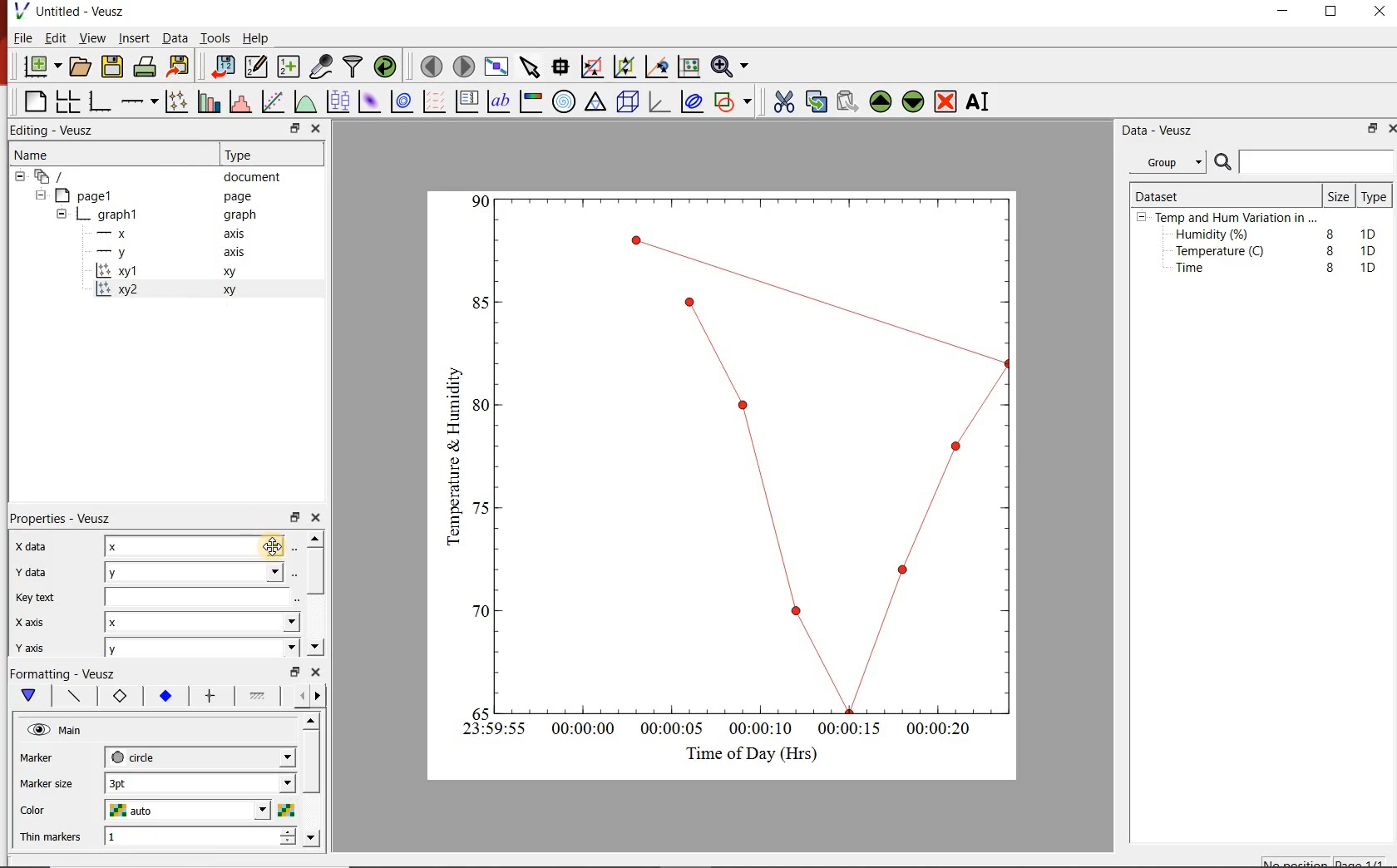  What do you see at coordinates (222, 65) in the screenshot?
I see `import data into Veusz` at bounding box center [222, 65].